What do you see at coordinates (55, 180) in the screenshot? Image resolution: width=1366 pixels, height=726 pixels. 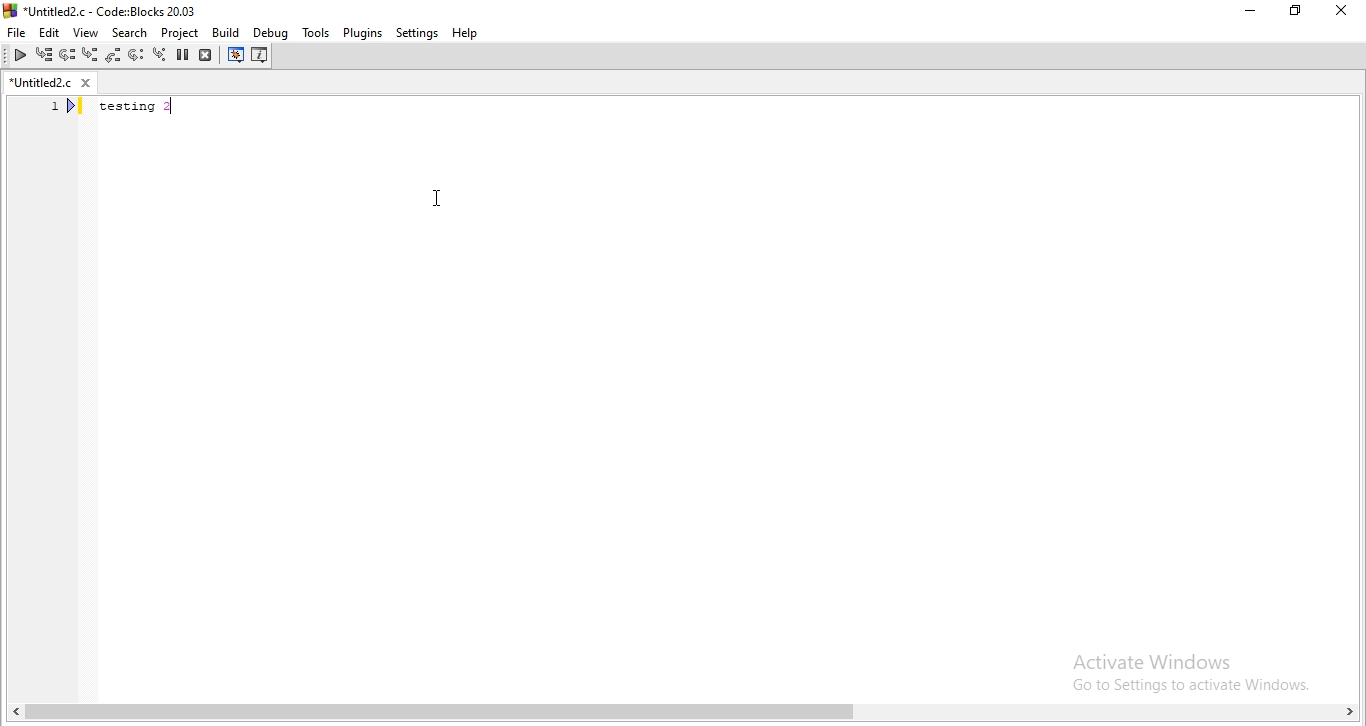 I see `line number` at bounding box center [55, 180].